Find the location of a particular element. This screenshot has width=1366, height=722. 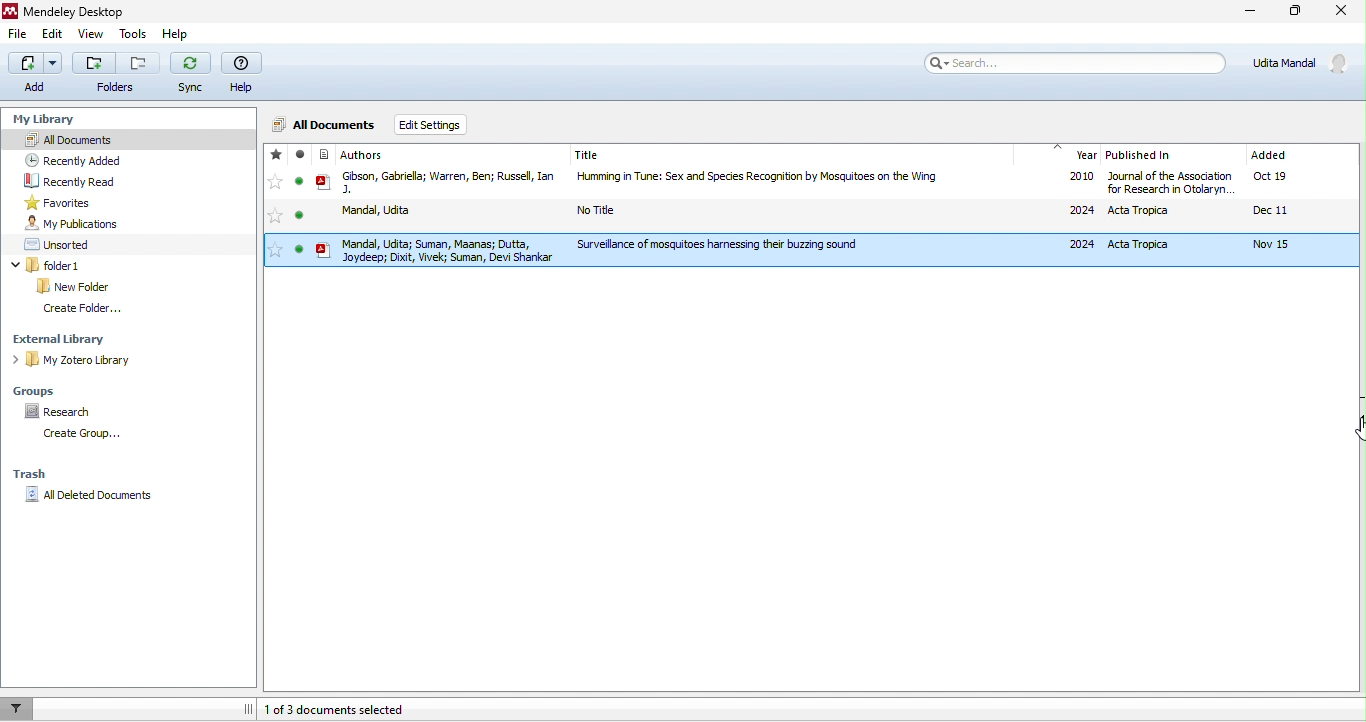

view is located at coordinates (94, 35).